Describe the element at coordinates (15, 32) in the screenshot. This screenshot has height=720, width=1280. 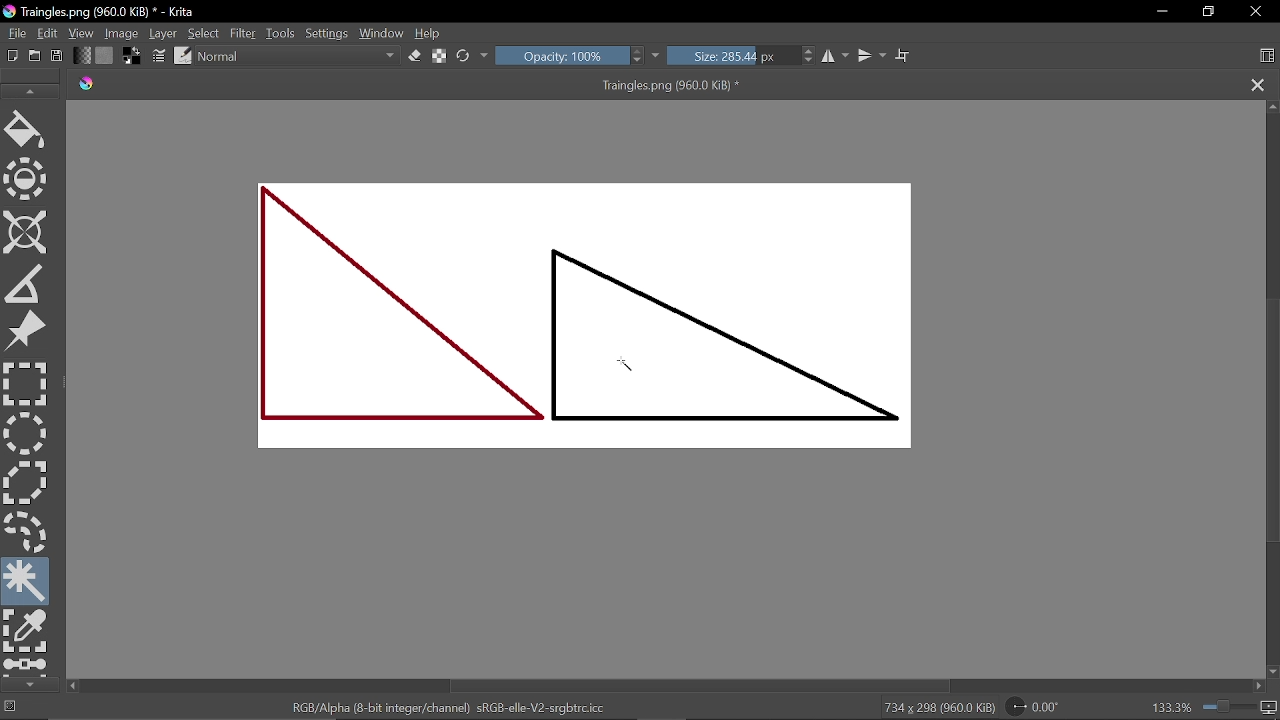
I see `File` at that location.